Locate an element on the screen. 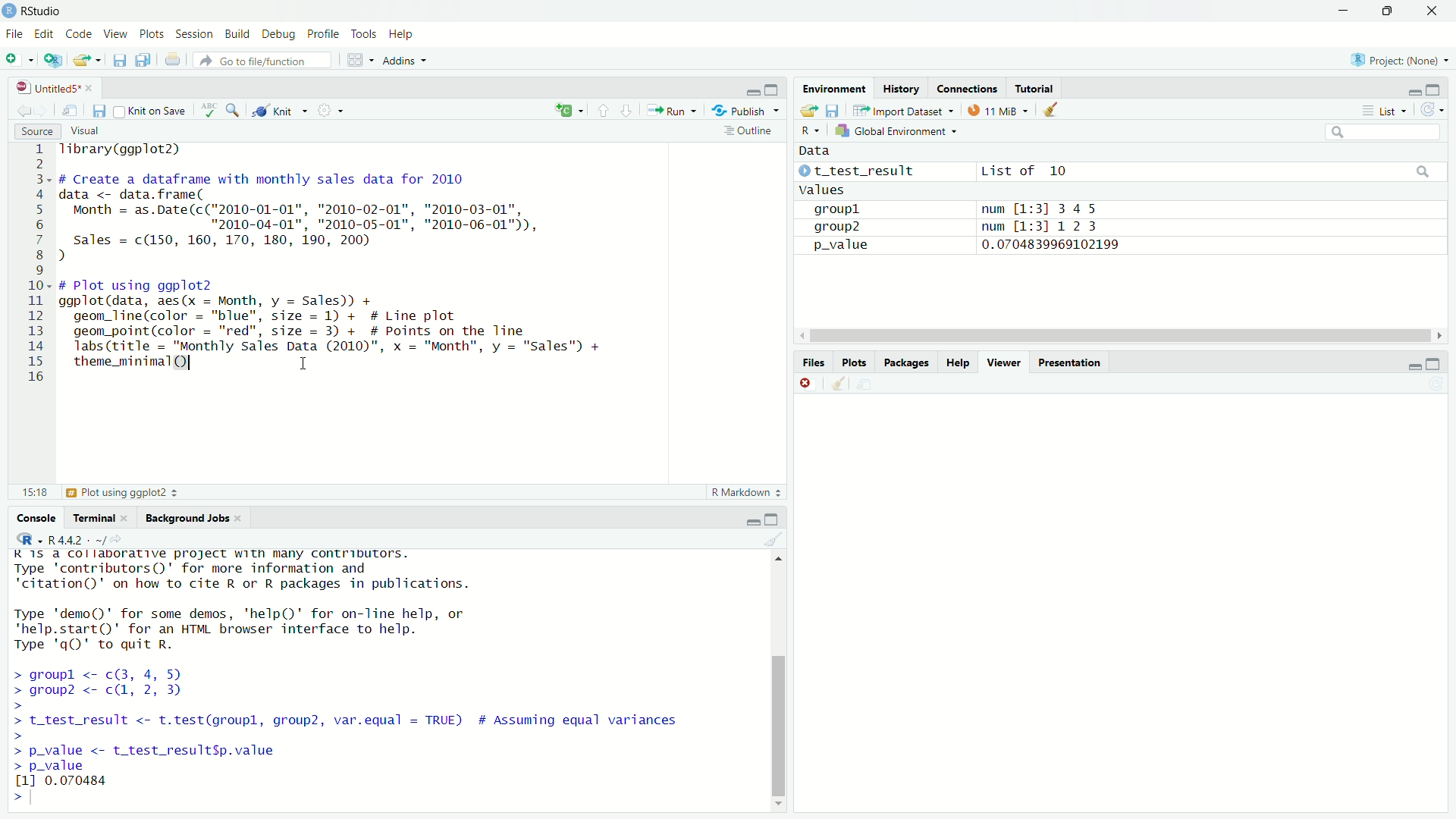 This screenshot has height=819, width=1456. minimise is located at coordinates (752, 522).